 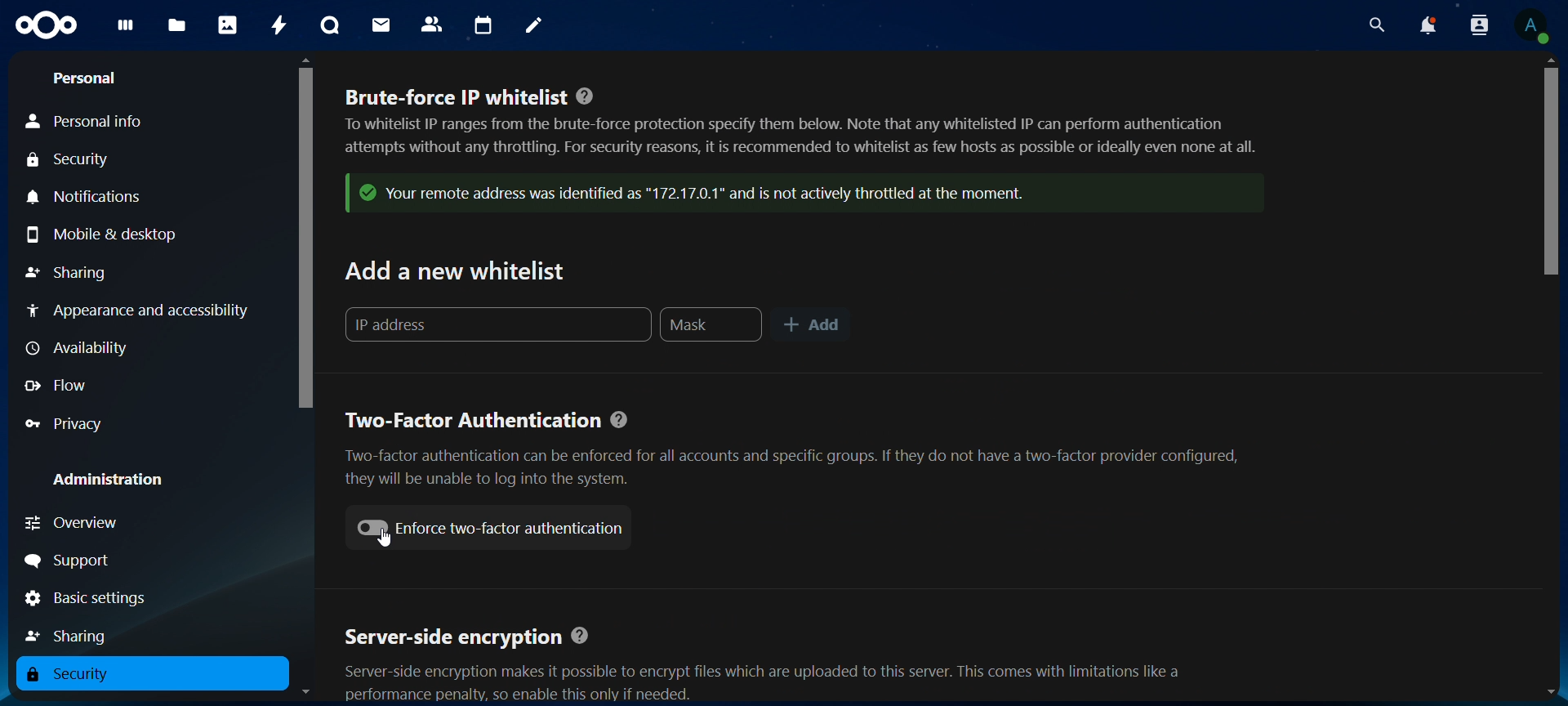 What do you see at coordinates (786, 195) in the screenshot?
I see `icon` at bounding box center [786, 195].